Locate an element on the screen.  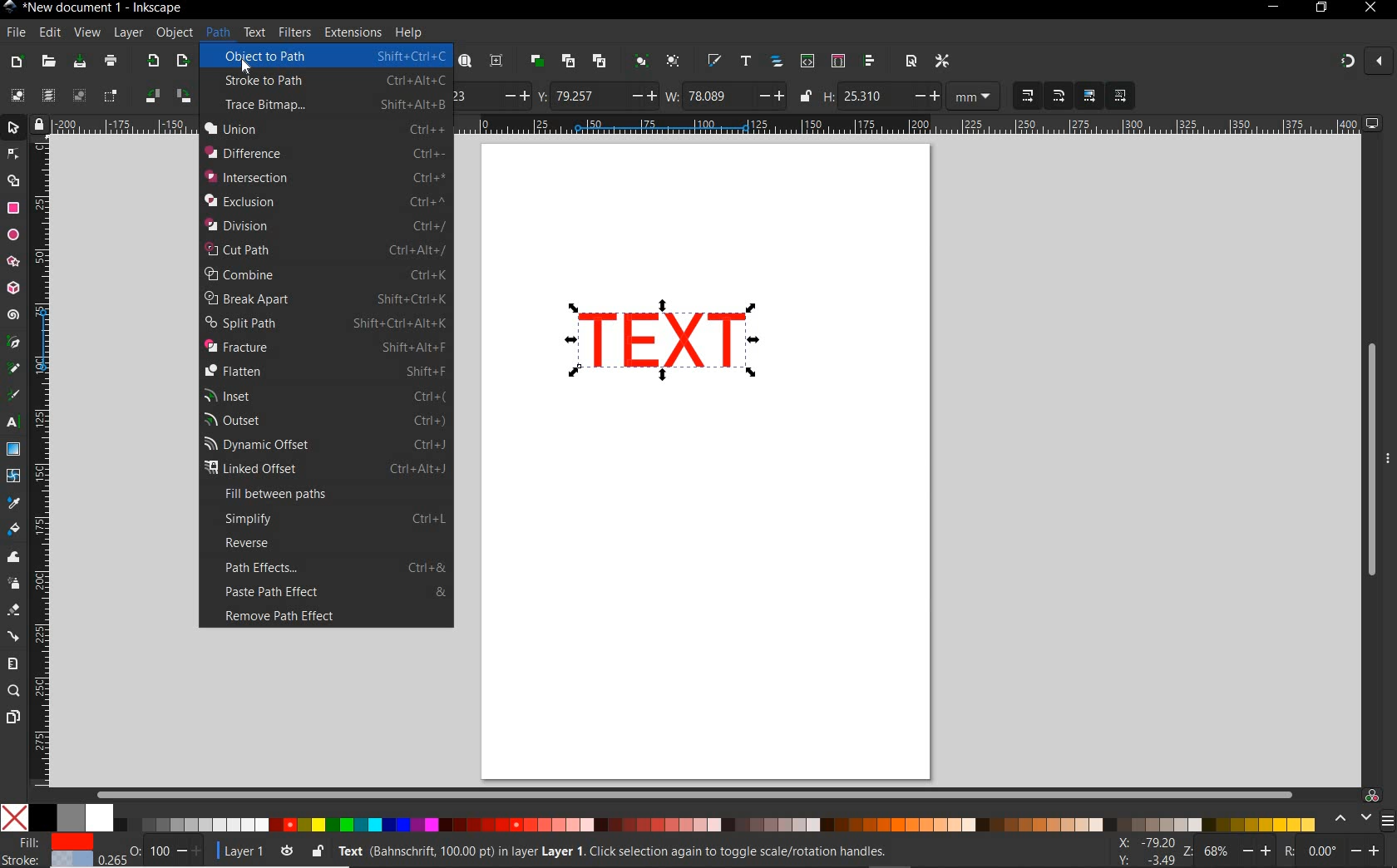
RULER is located at coordinates (42, 463).